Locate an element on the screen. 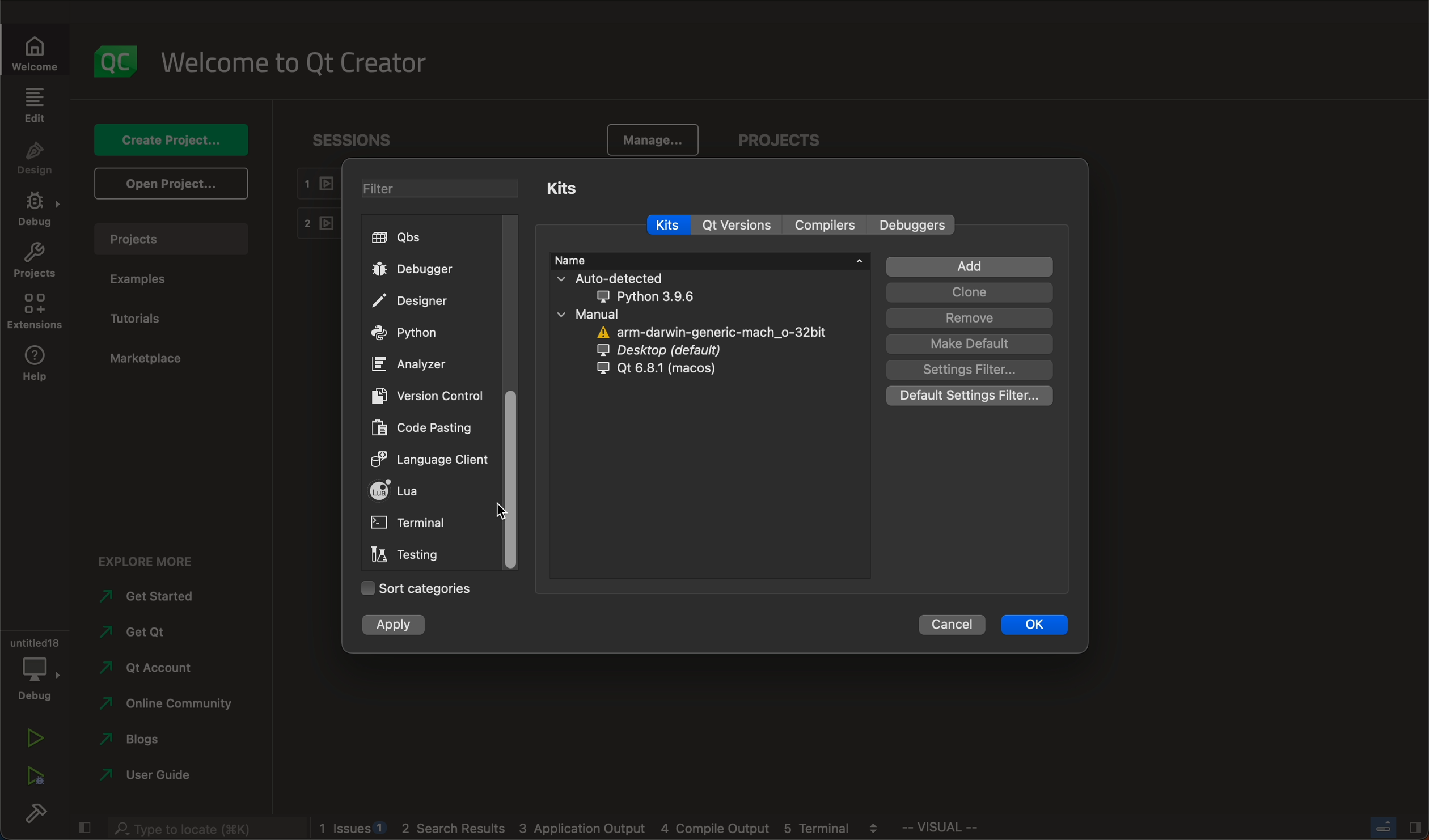 Image resolution: width=1429 pixels, height=840 pixels. testing is located at coordinates (411, 555).